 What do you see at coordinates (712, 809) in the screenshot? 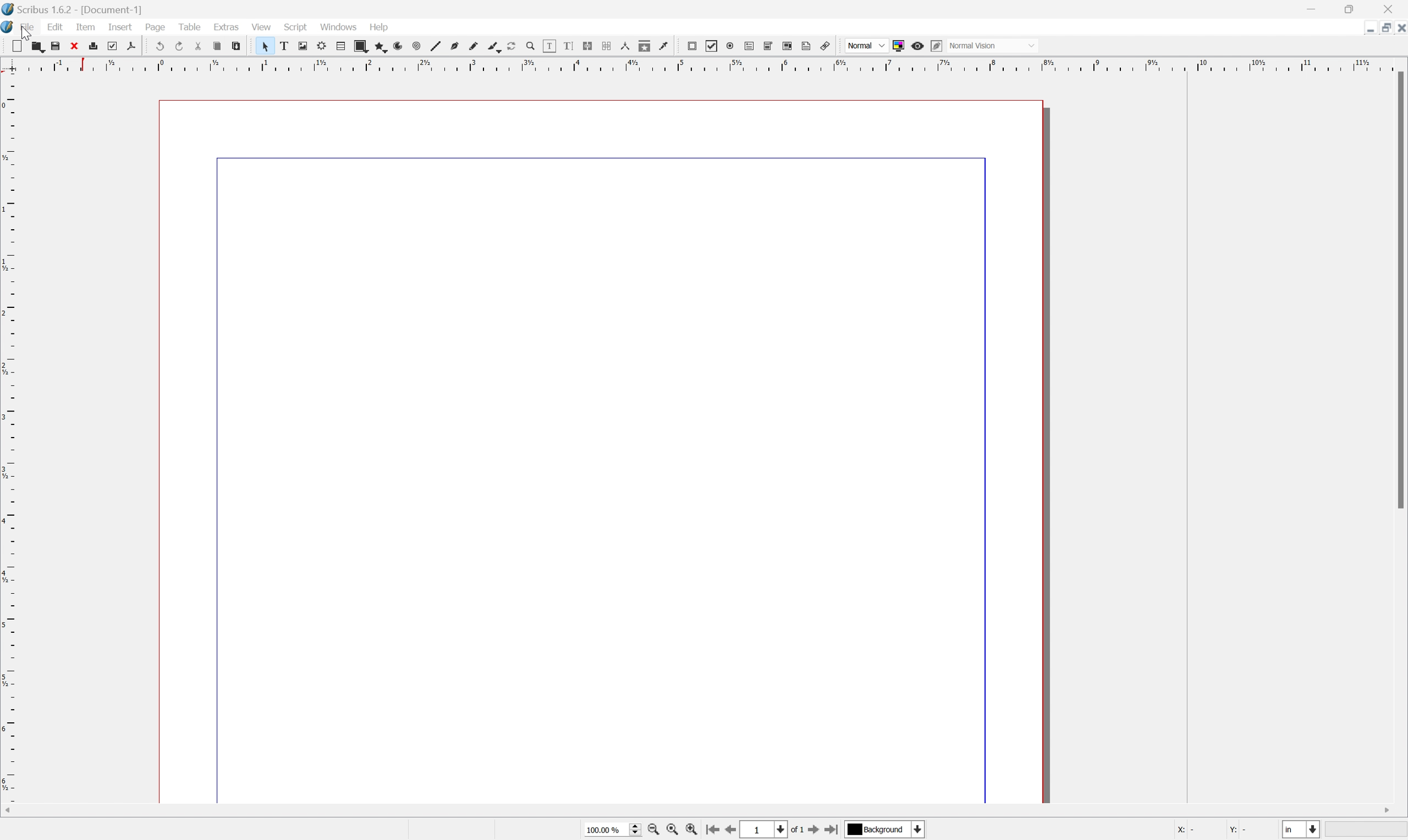
I see `Scroll bar` at bounding box center [712, 809].